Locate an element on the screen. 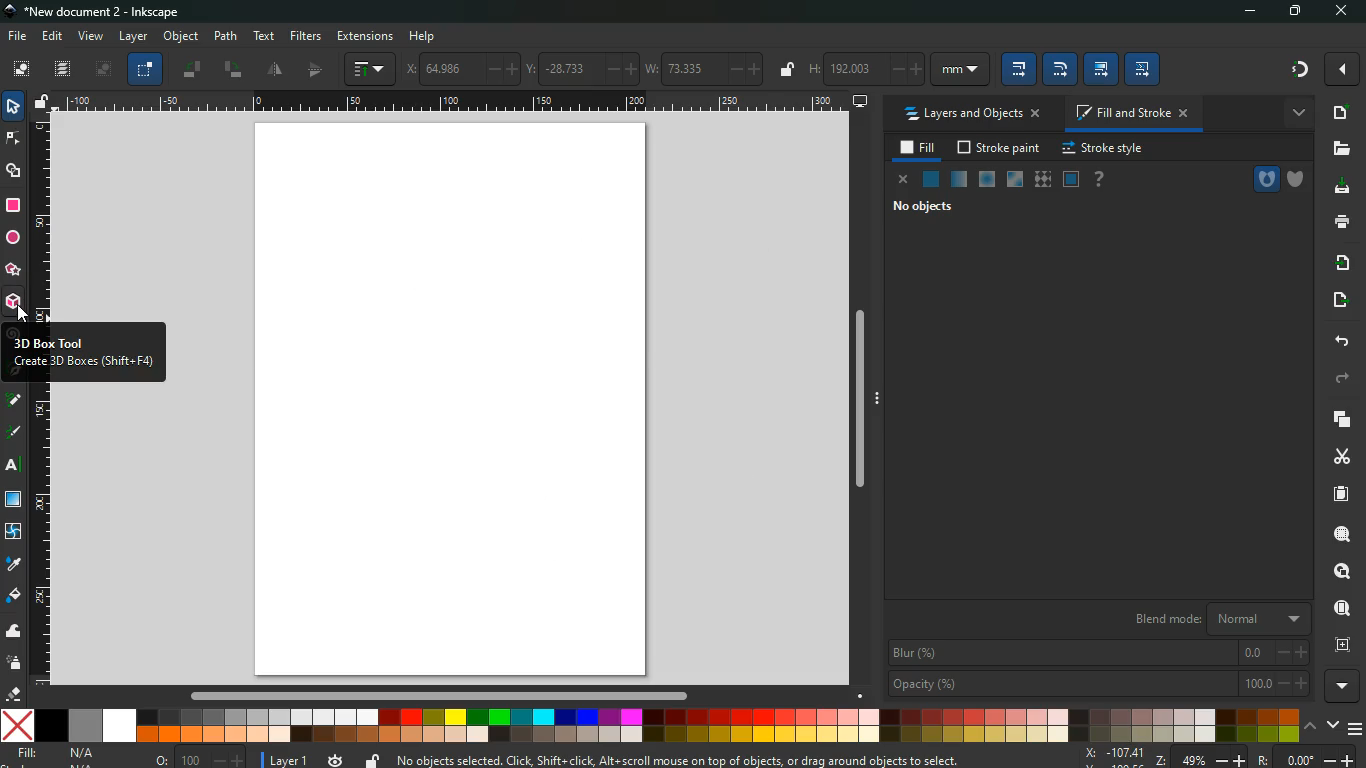 The height and width of the screenshot is (768, 1366). help is located at coordinates (1098, 180).